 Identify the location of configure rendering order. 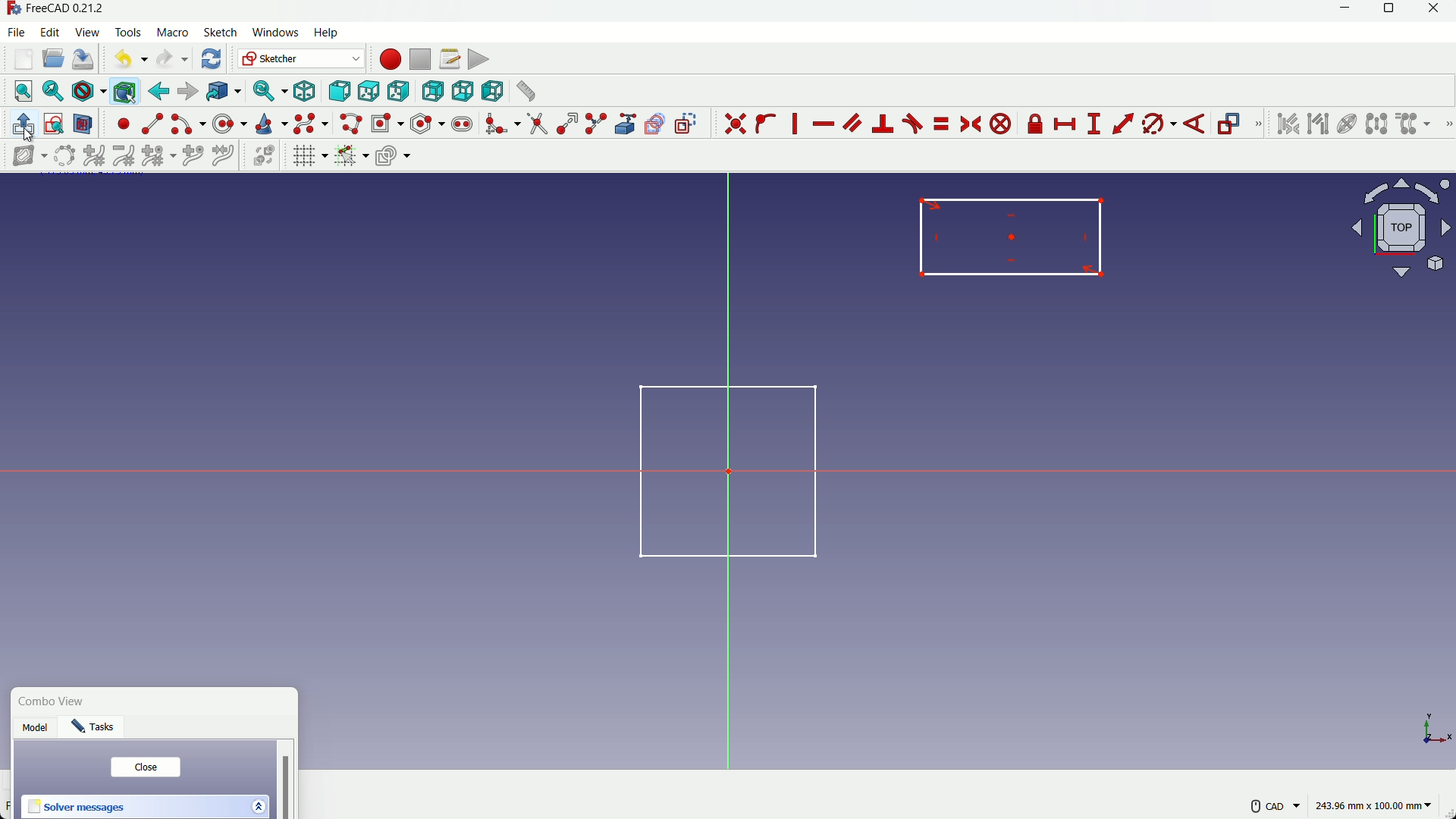
(395, 155).